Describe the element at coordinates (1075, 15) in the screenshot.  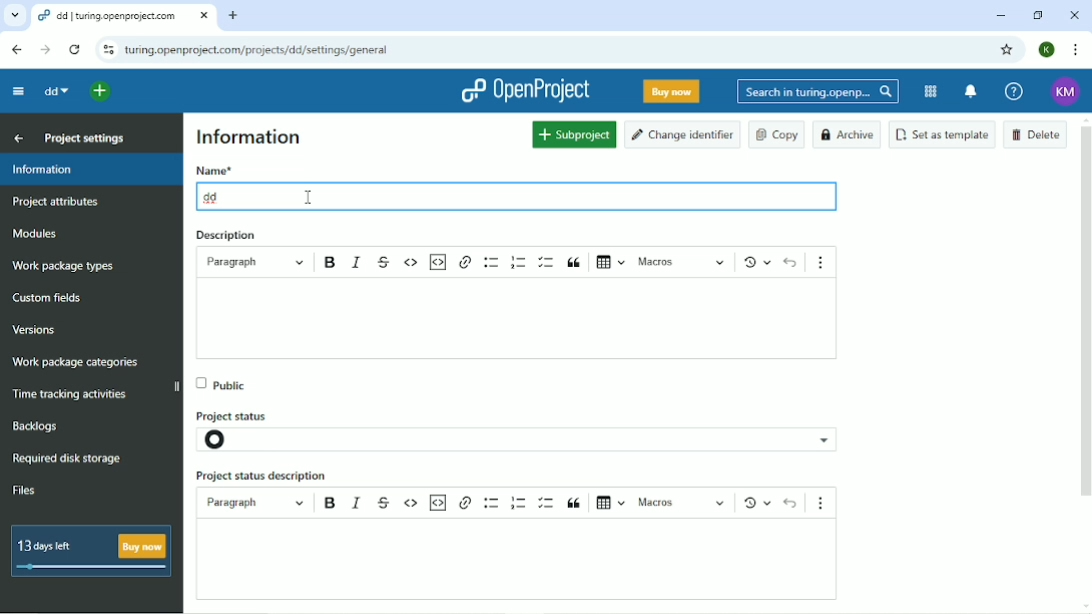
I see `Close` at that location.